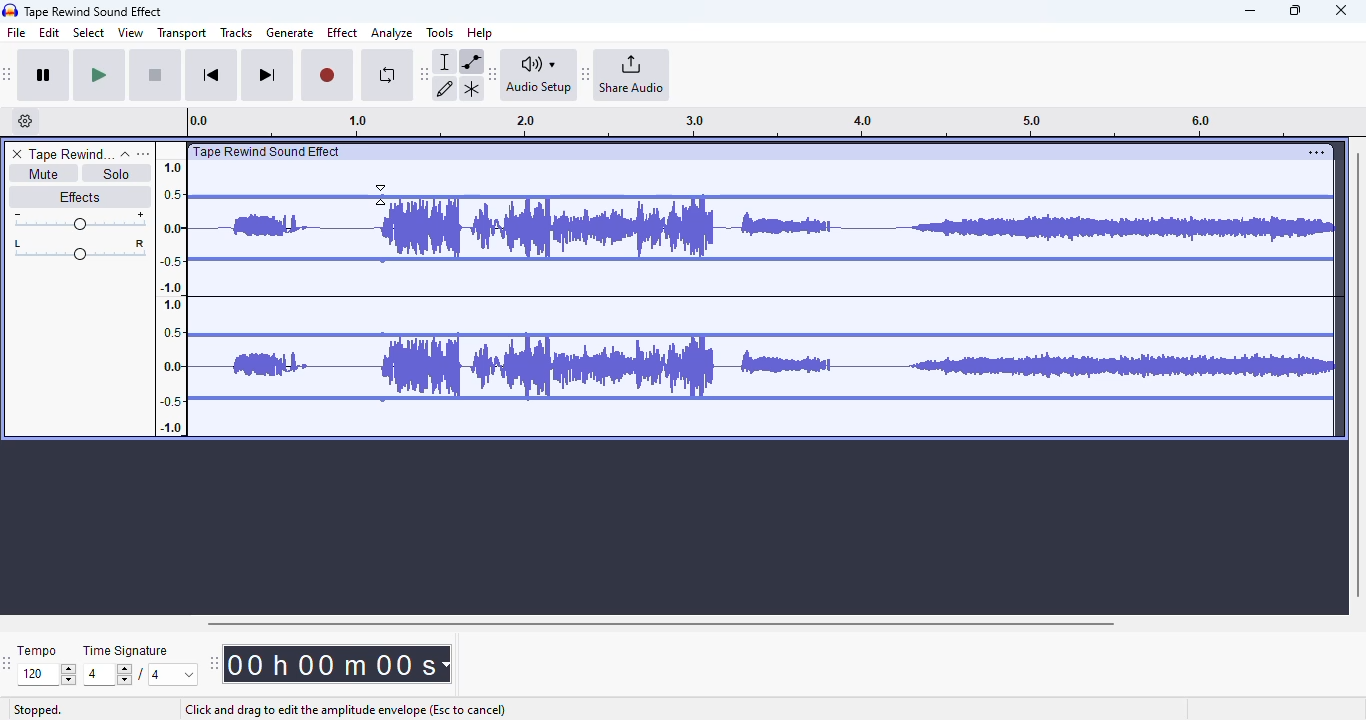 This screenshot has width=1366, height=720. Describe the element at coordinates (471, 89) in the screenshot. I see `multi-tool` at that location.